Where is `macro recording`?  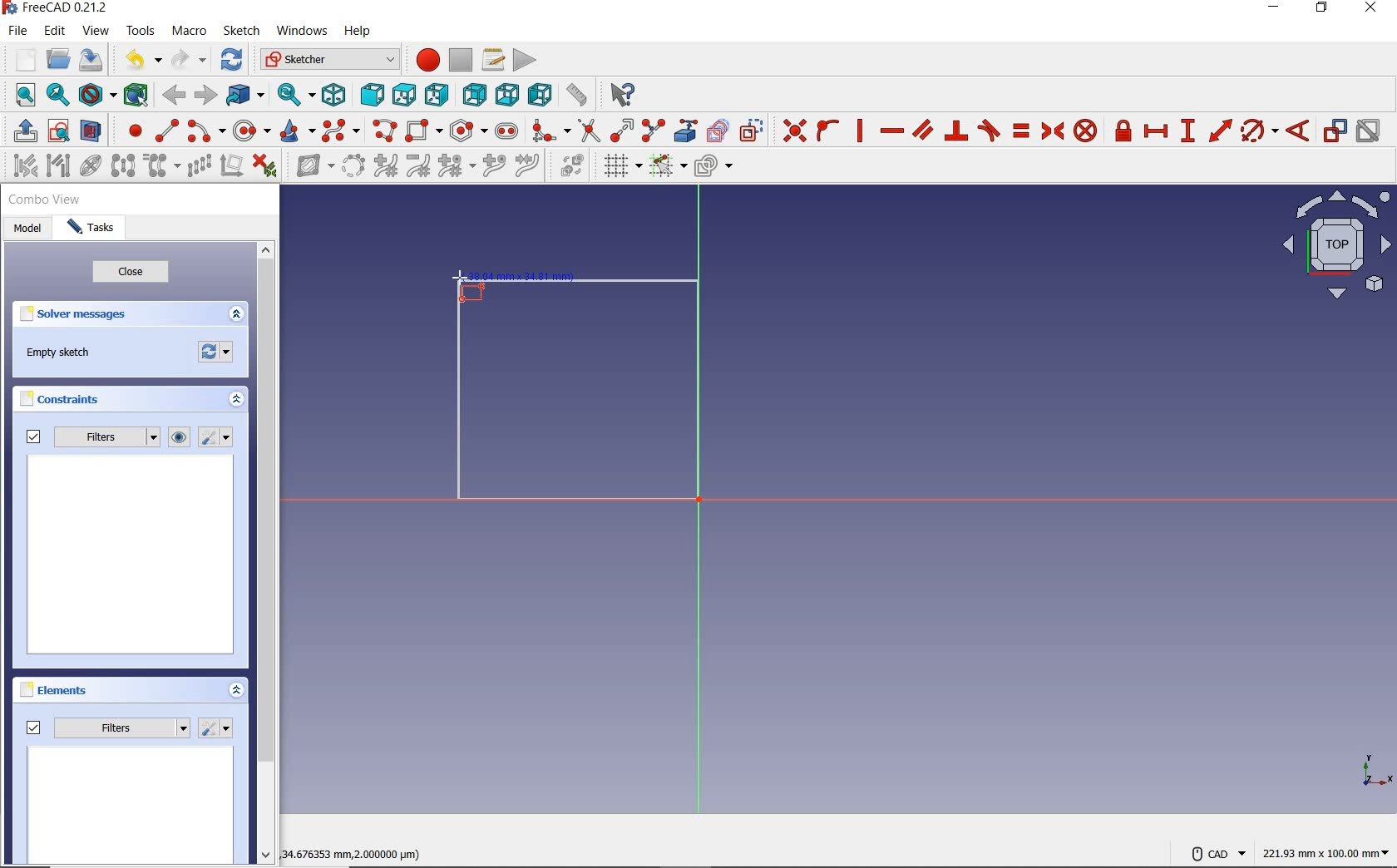 macro recording is located at coordinates (425, 62).